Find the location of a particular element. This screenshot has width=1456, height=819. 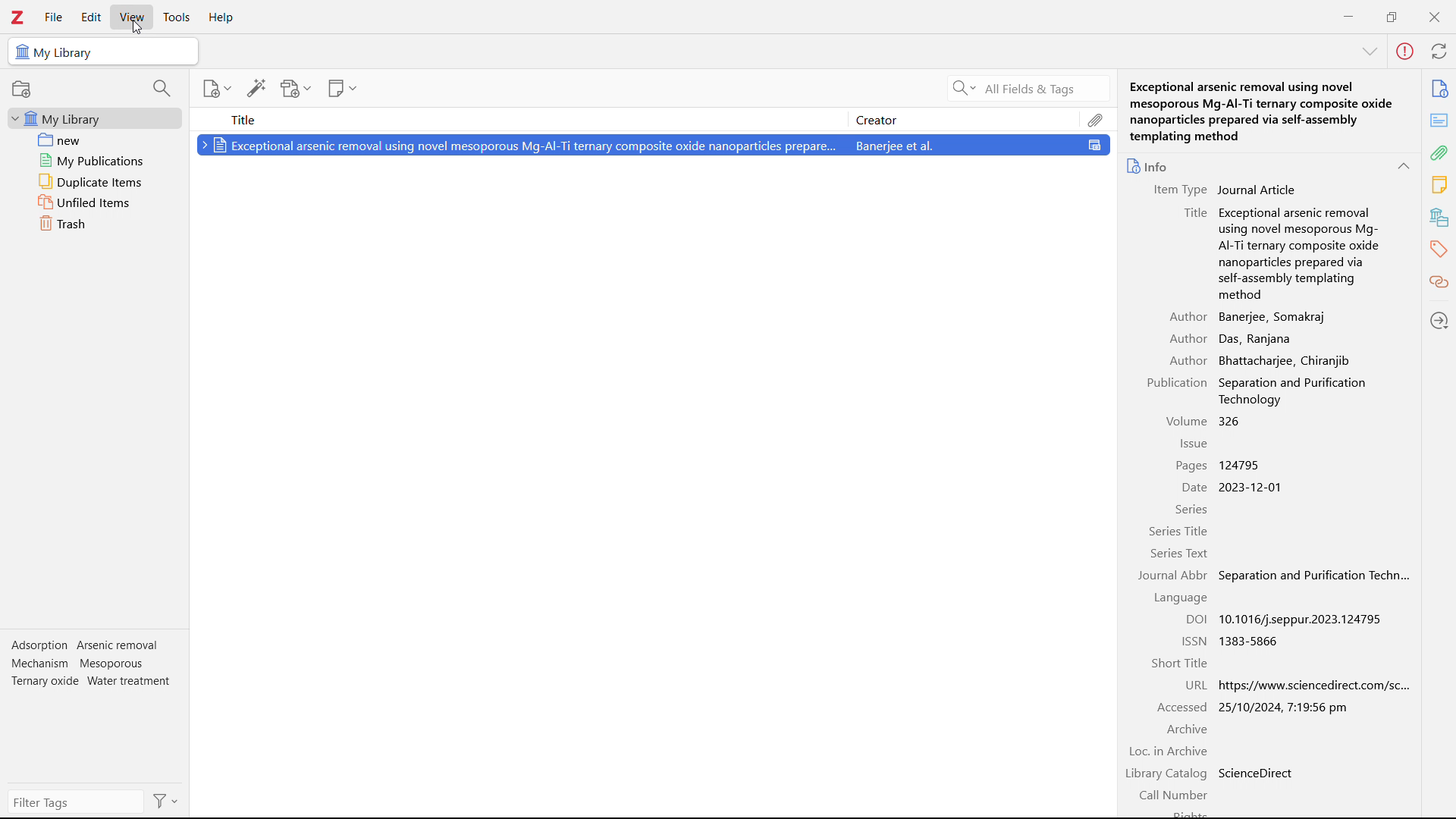

Journal Abbr is located at coordinates (1173, 576).